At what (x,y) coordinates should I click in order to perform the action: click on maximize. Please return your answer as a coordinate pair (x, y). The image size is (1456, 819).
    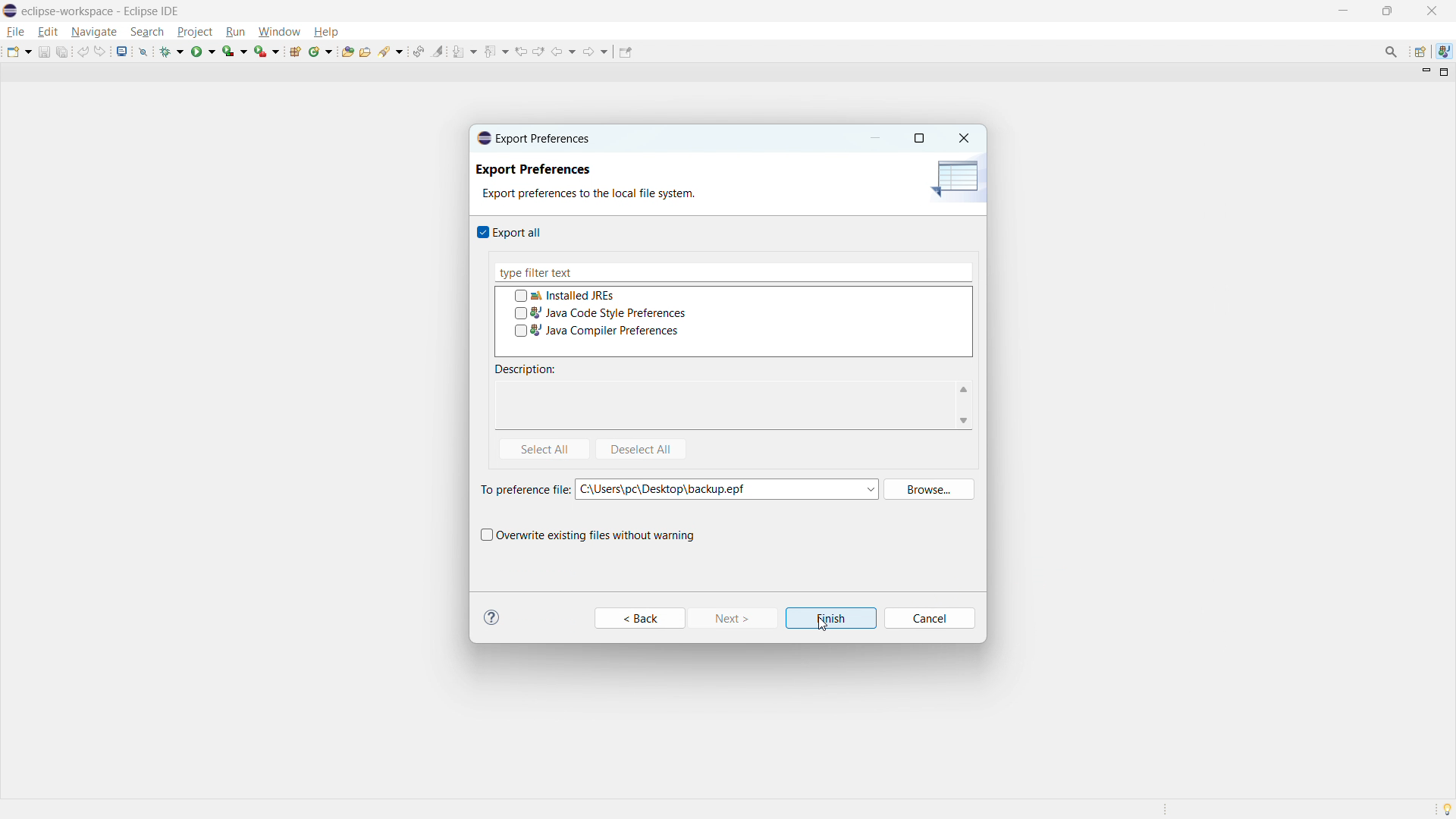
    Looking at the image, I should click on (1387, 11).